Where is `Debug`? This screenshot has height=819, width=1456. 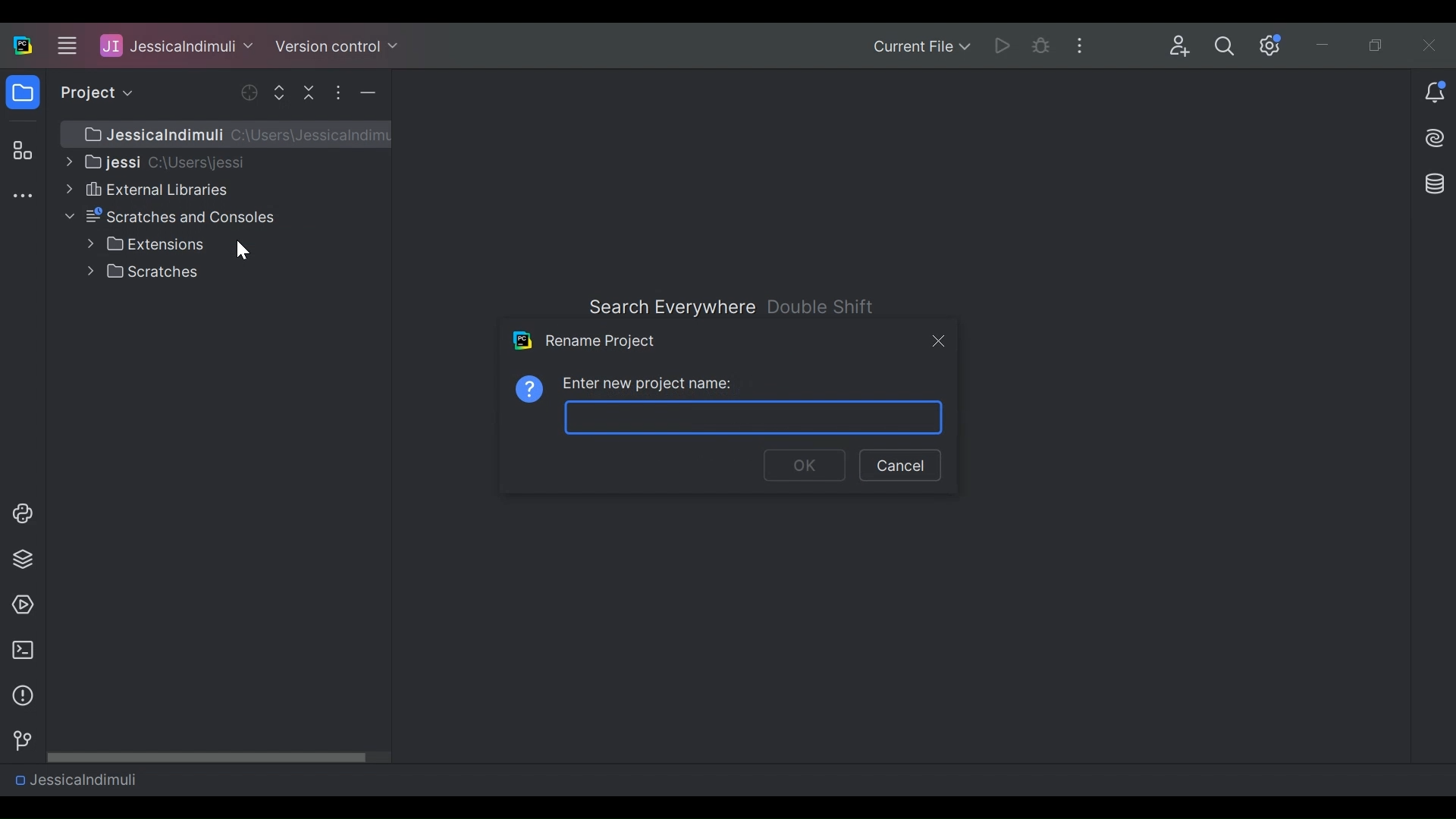
Debug is located at coordinates (1042, 45).